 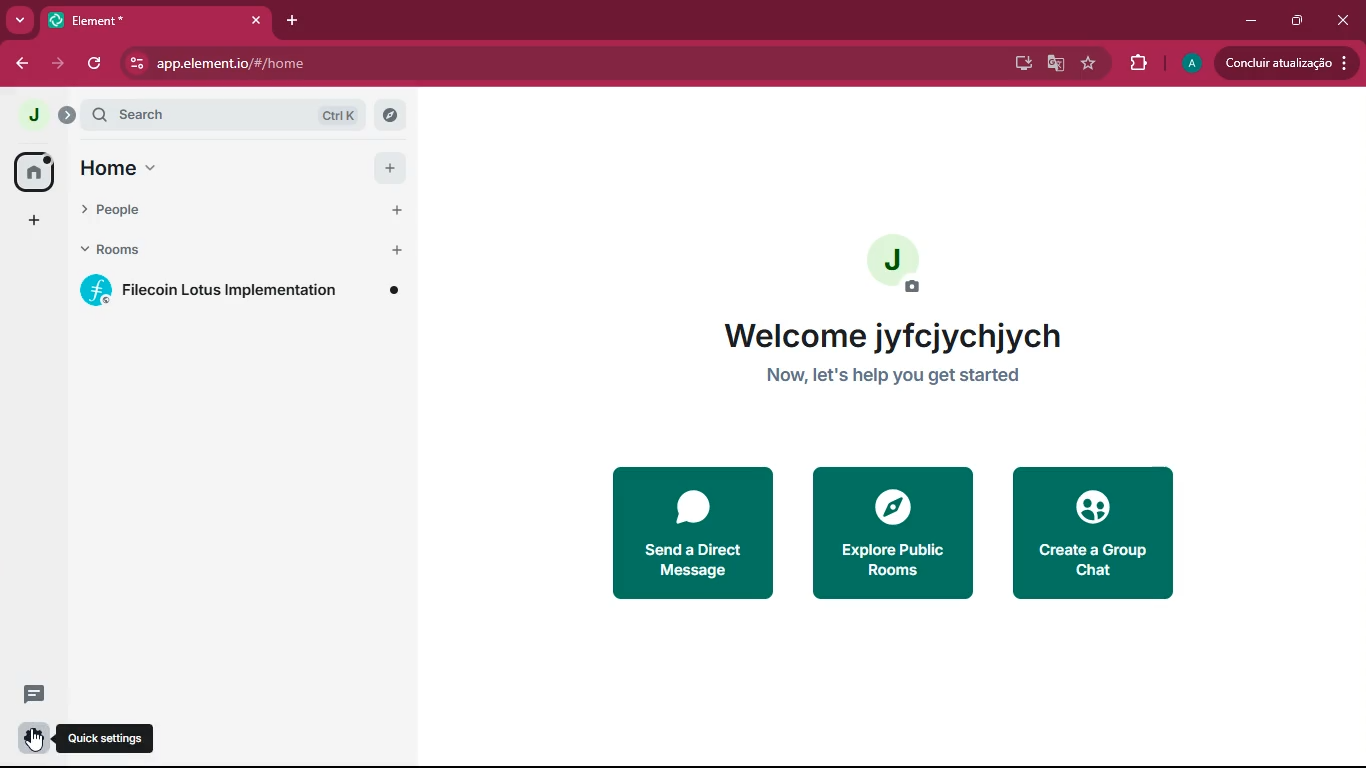 What do you see at coordinates (395, 210) in the screenshot?
I see `add` at bounding box center [395, 210].